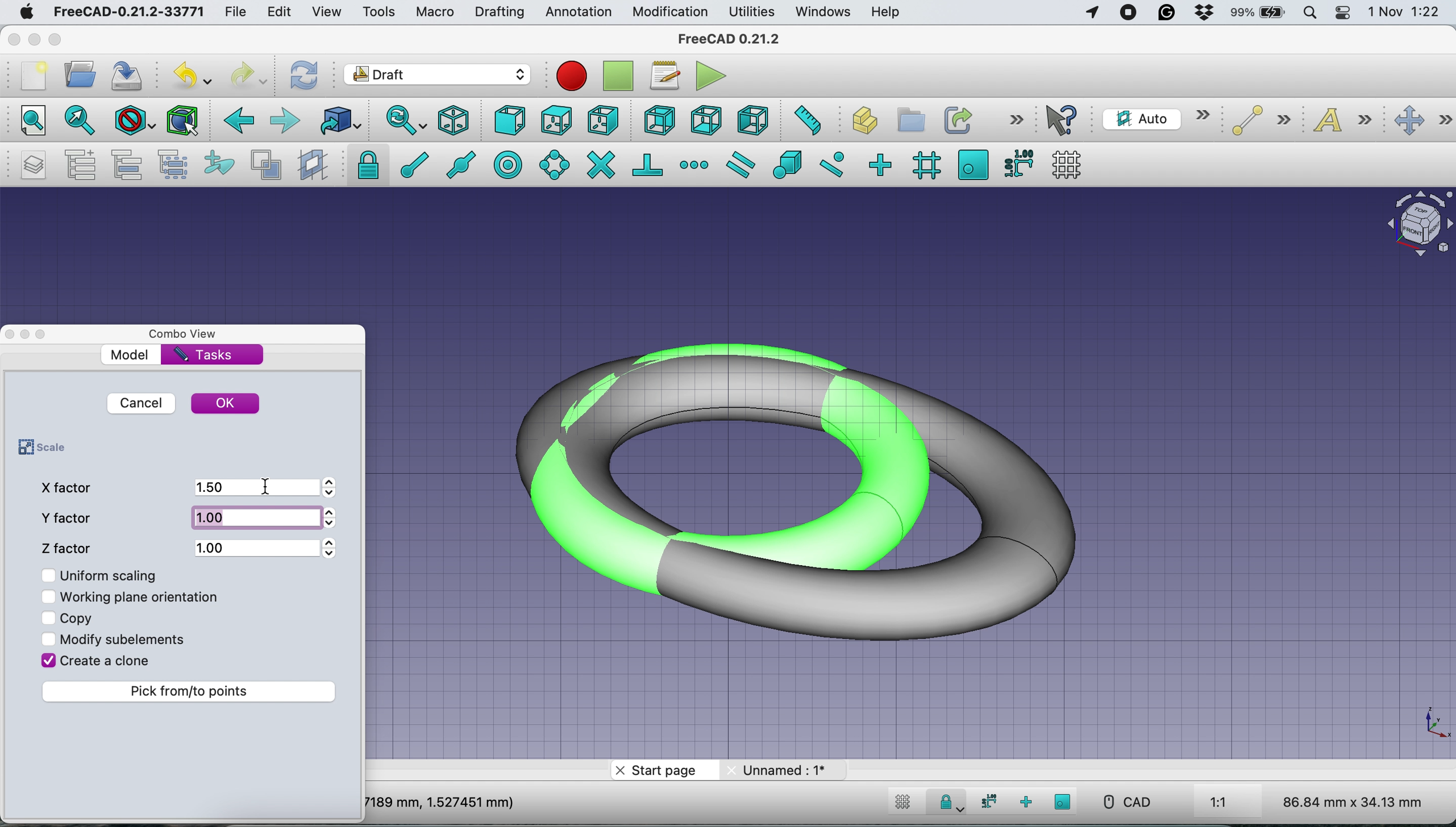  Describe the element at coordinates (806, 122) in the screenshot. I see `measure distance` at that location.